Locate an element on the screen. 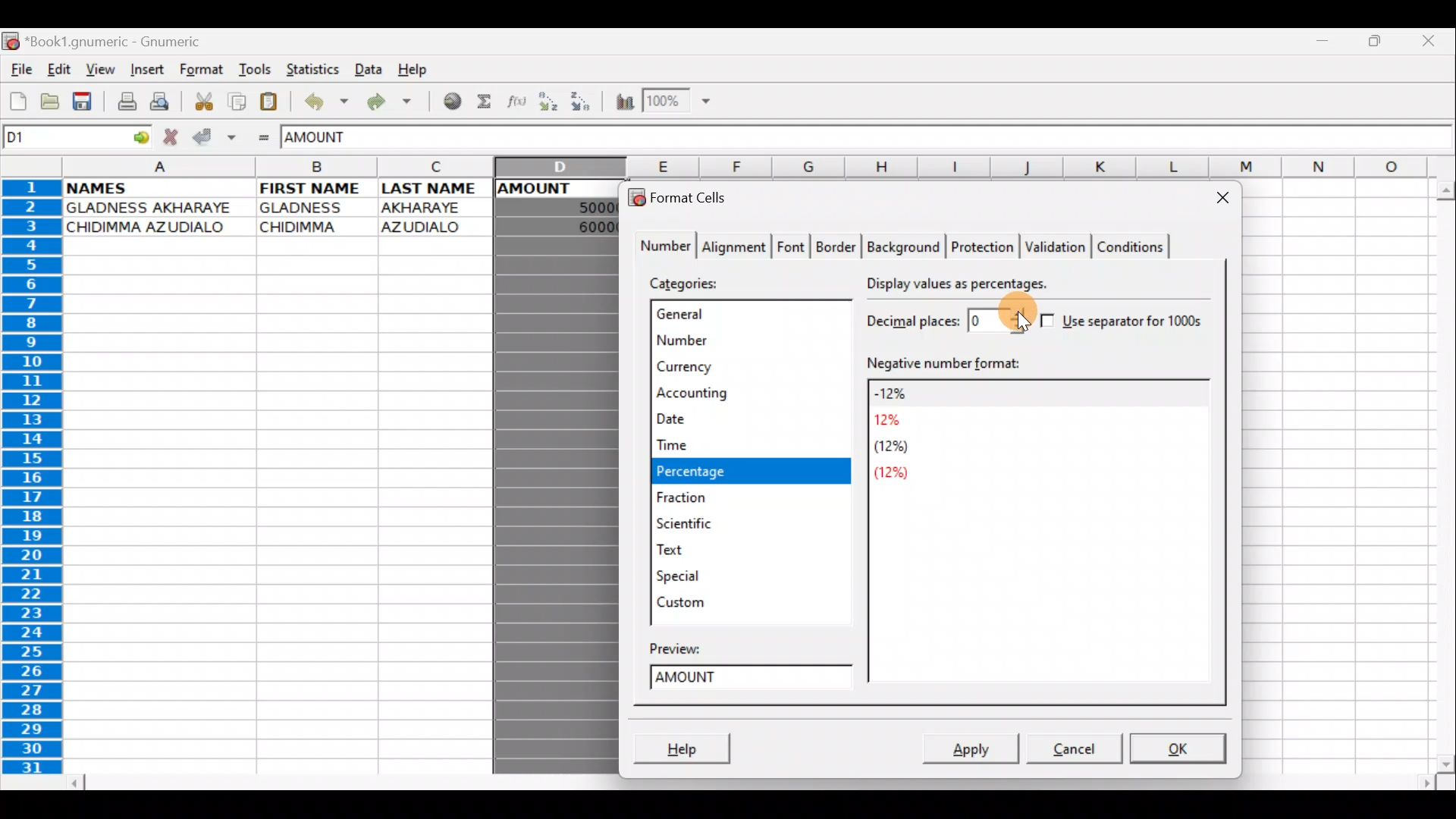 This screenshot has width=1456, height=819. Create new workbook is located at coordinates (17, 102).